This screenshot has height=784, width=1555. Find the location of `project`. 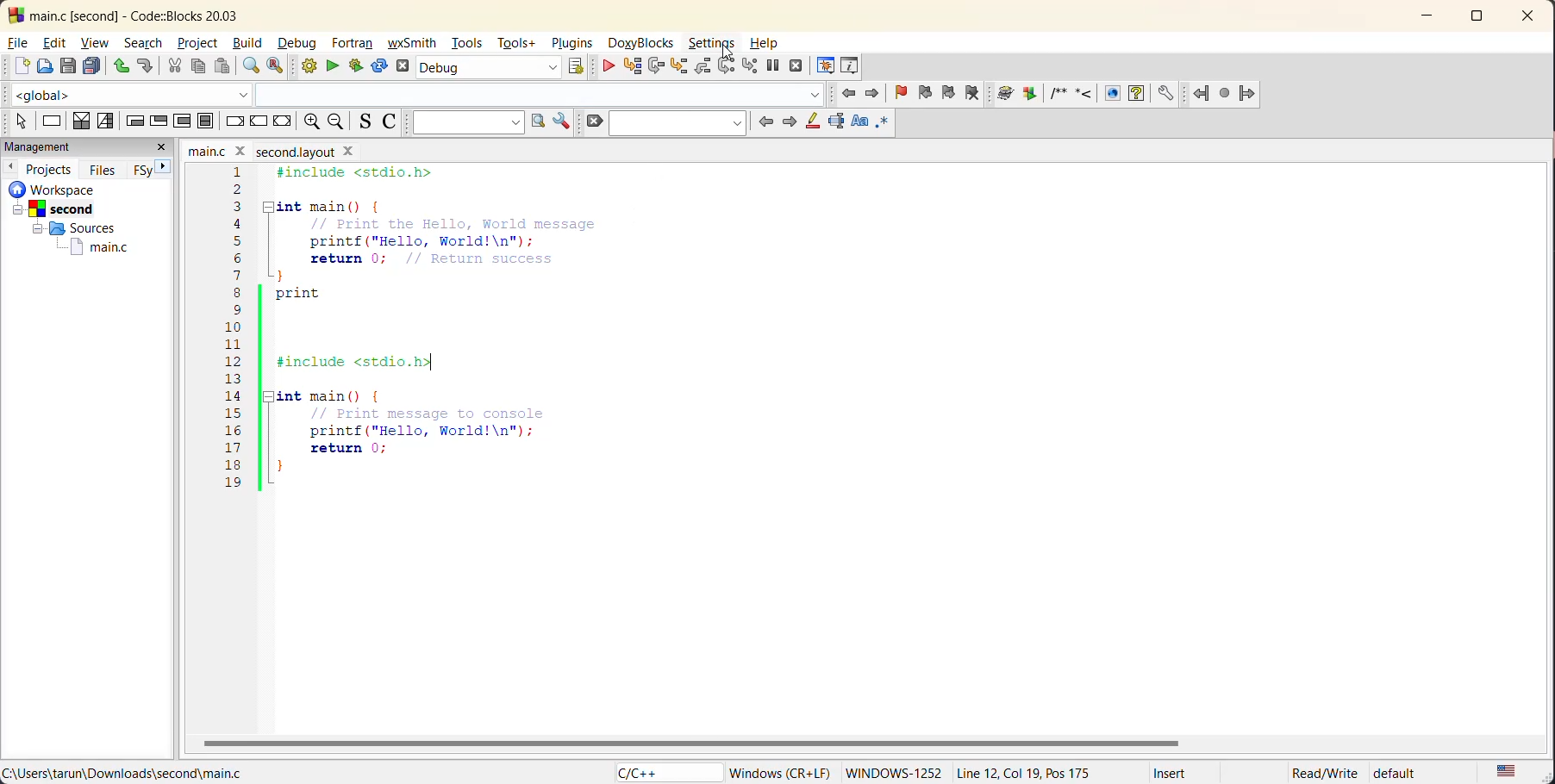

project is located at coordinates (200, 45).